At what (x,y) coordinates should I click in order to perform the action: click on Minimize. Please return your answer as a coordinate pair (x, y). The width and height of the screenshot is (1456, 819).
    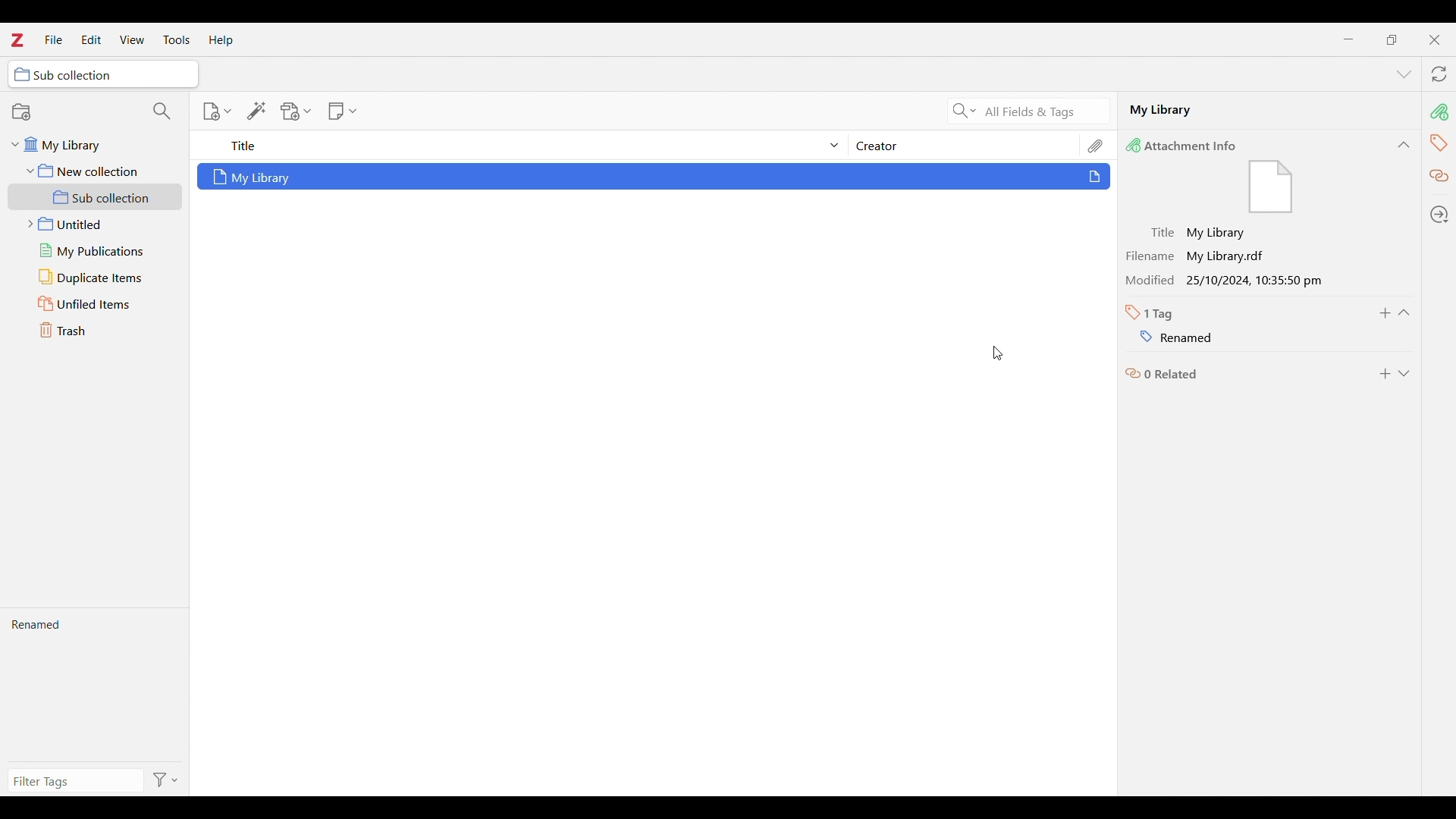
    Looking at the image, I should click on (1349, 39).